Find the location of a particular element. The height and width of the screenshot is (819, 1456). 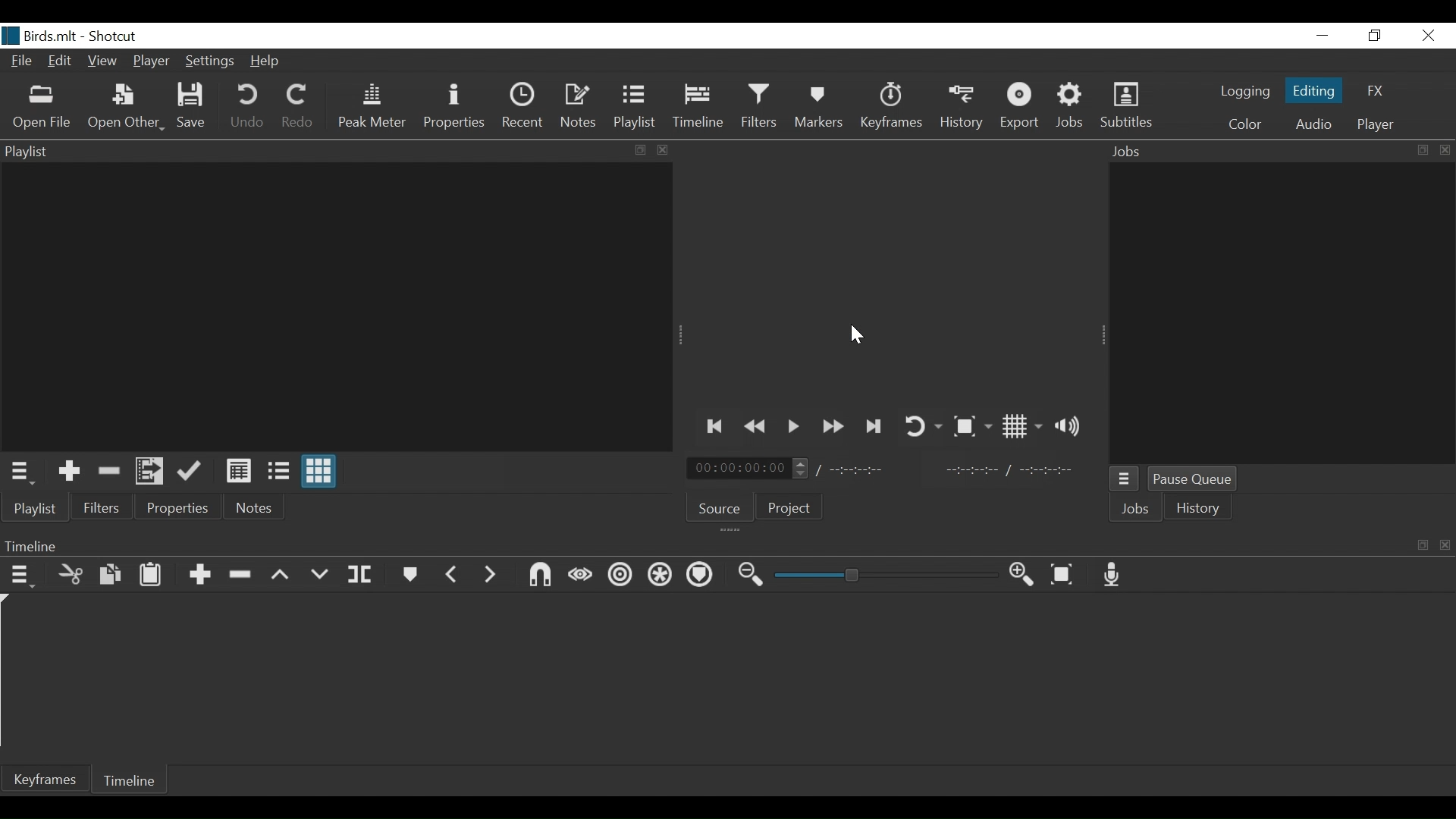

Lift is located at coordinates (281, 576).